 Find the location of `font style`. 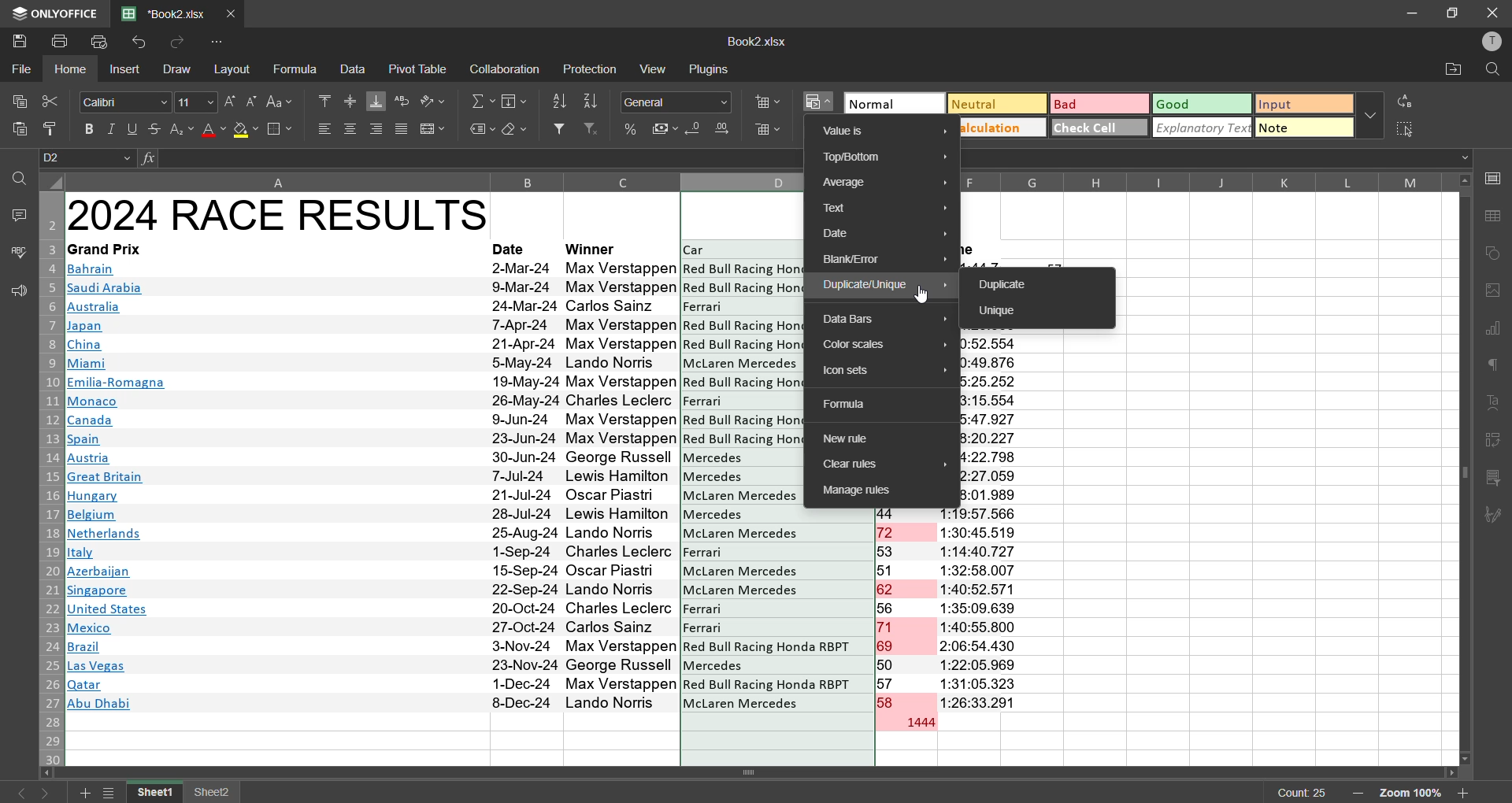

font style is located at coordinates (126, 102).